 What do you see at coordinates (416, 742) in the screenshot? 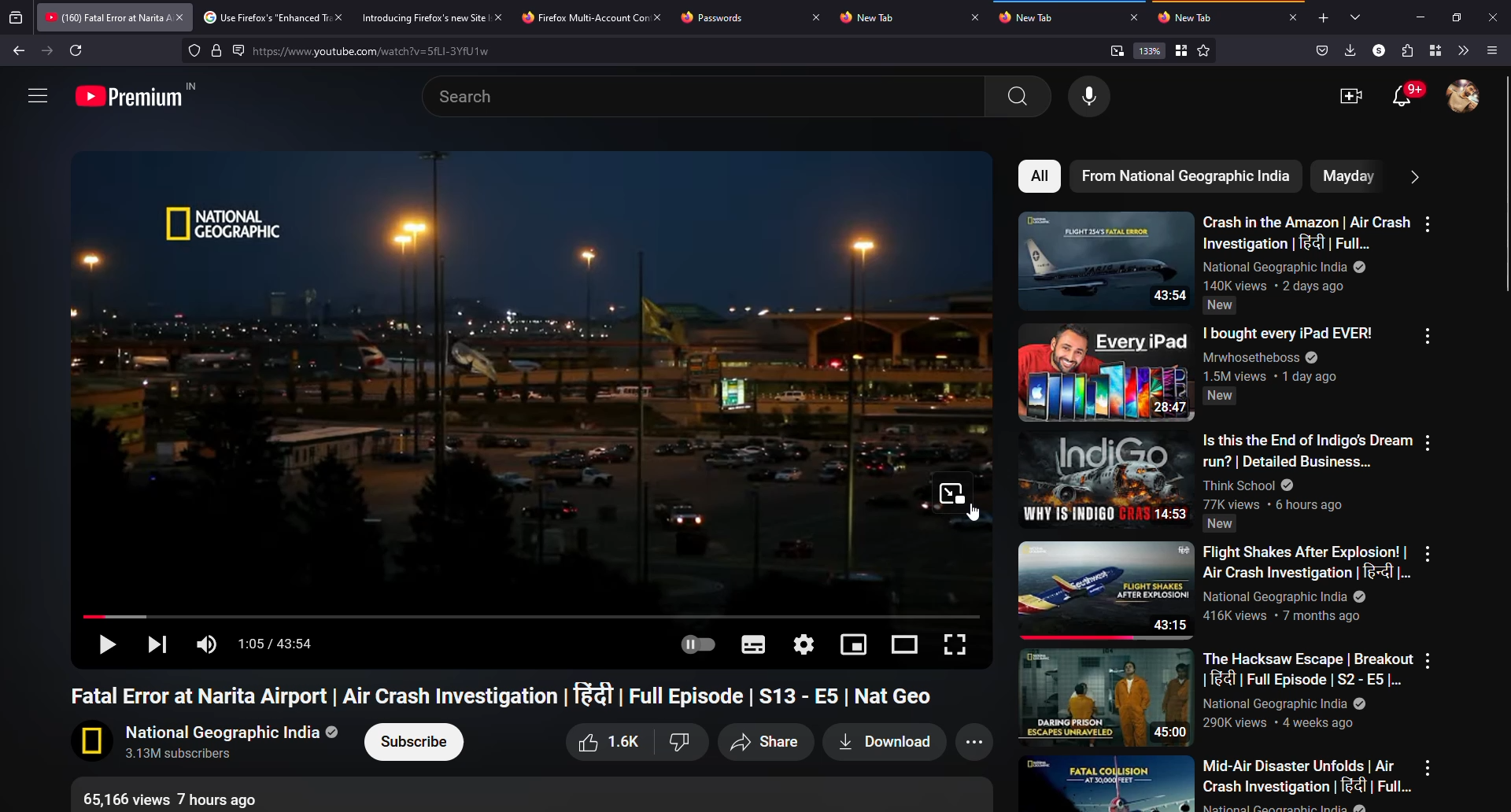
I see `subscribe` at bounding box center [416, 742].